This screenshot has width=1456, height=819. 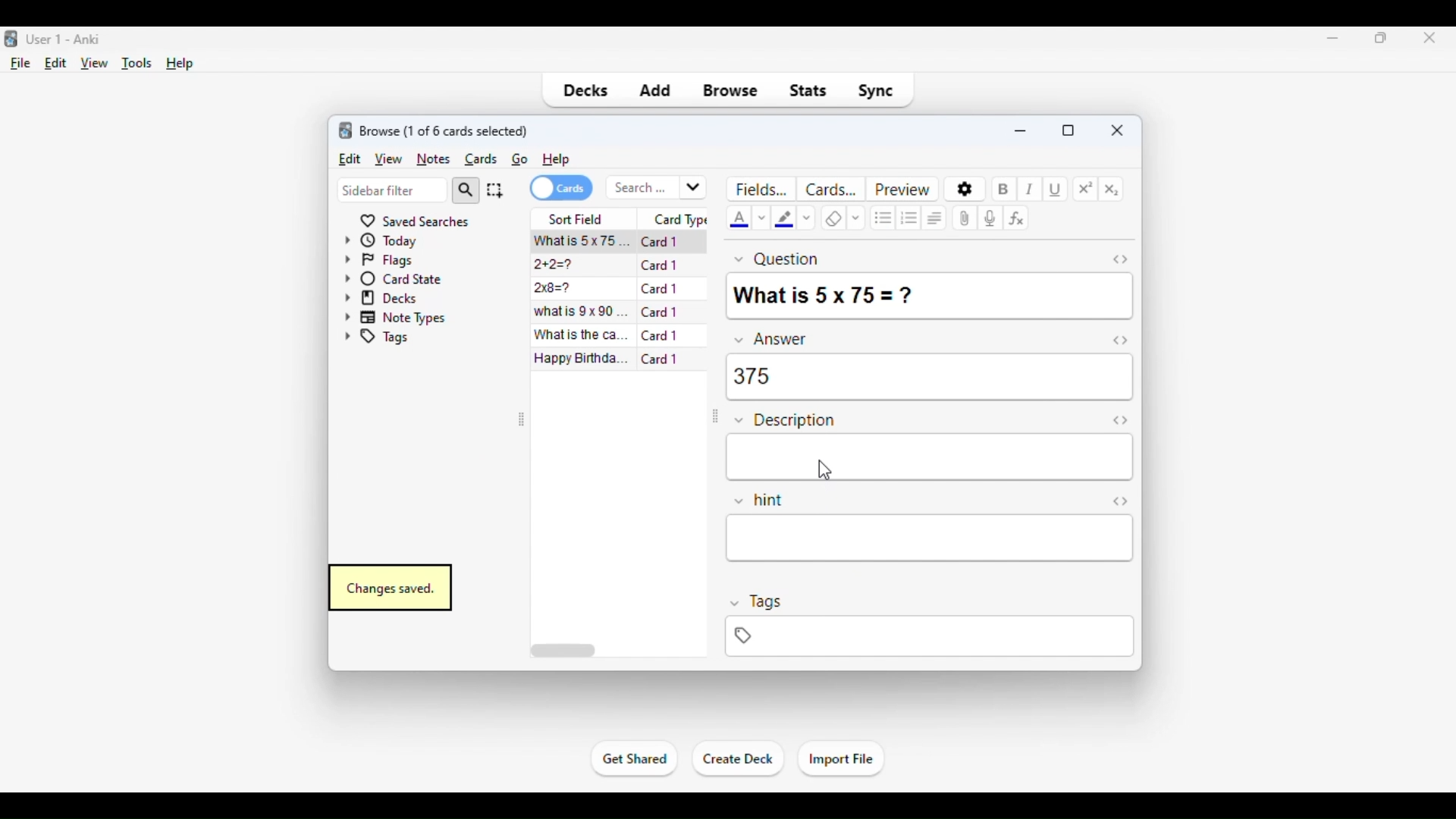 I want to click on bold, so click(x=1003, y=190).